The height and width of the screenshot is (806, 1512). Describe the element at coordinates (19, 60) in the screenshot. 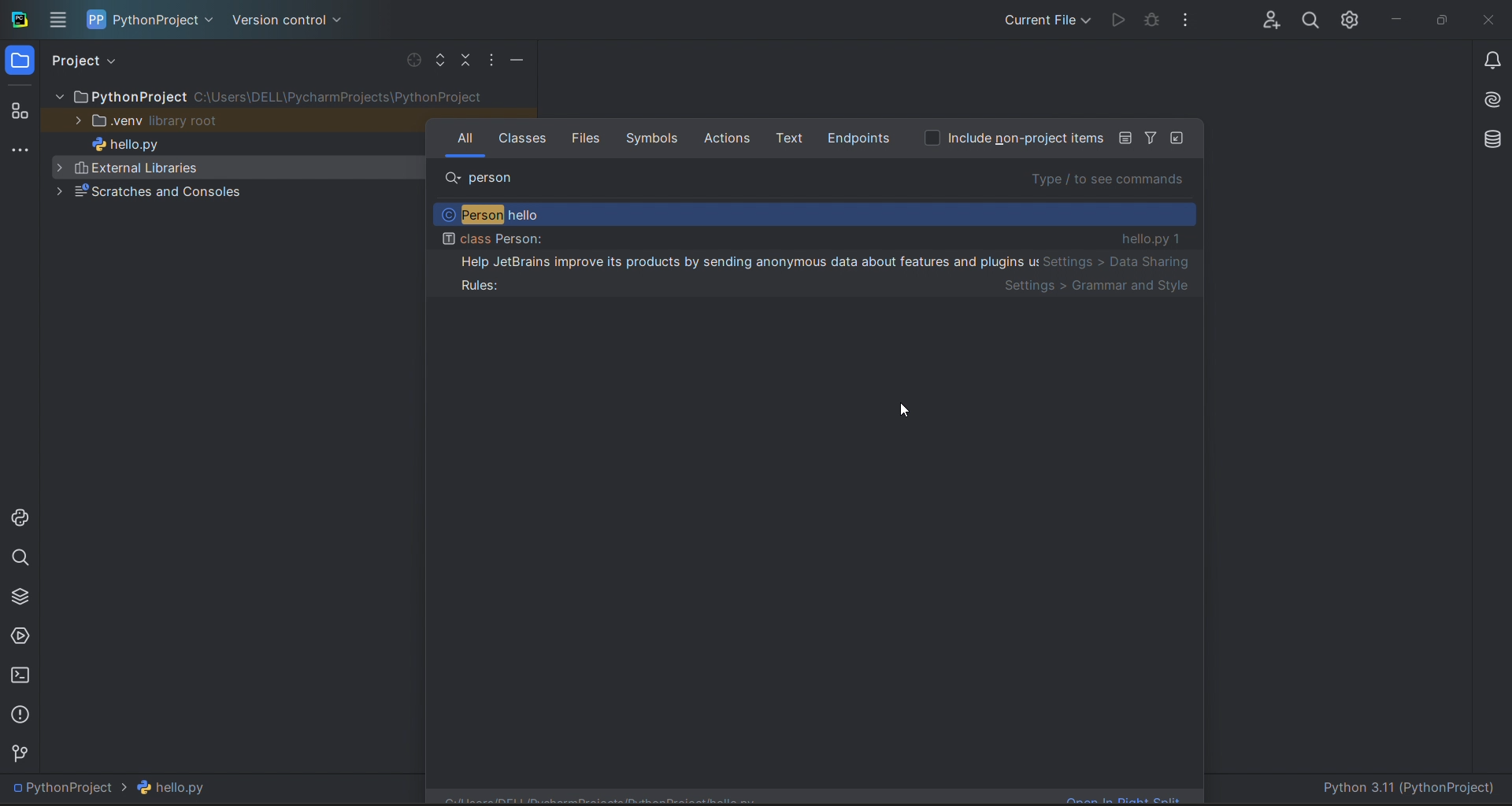

I see `folder window` at that location.